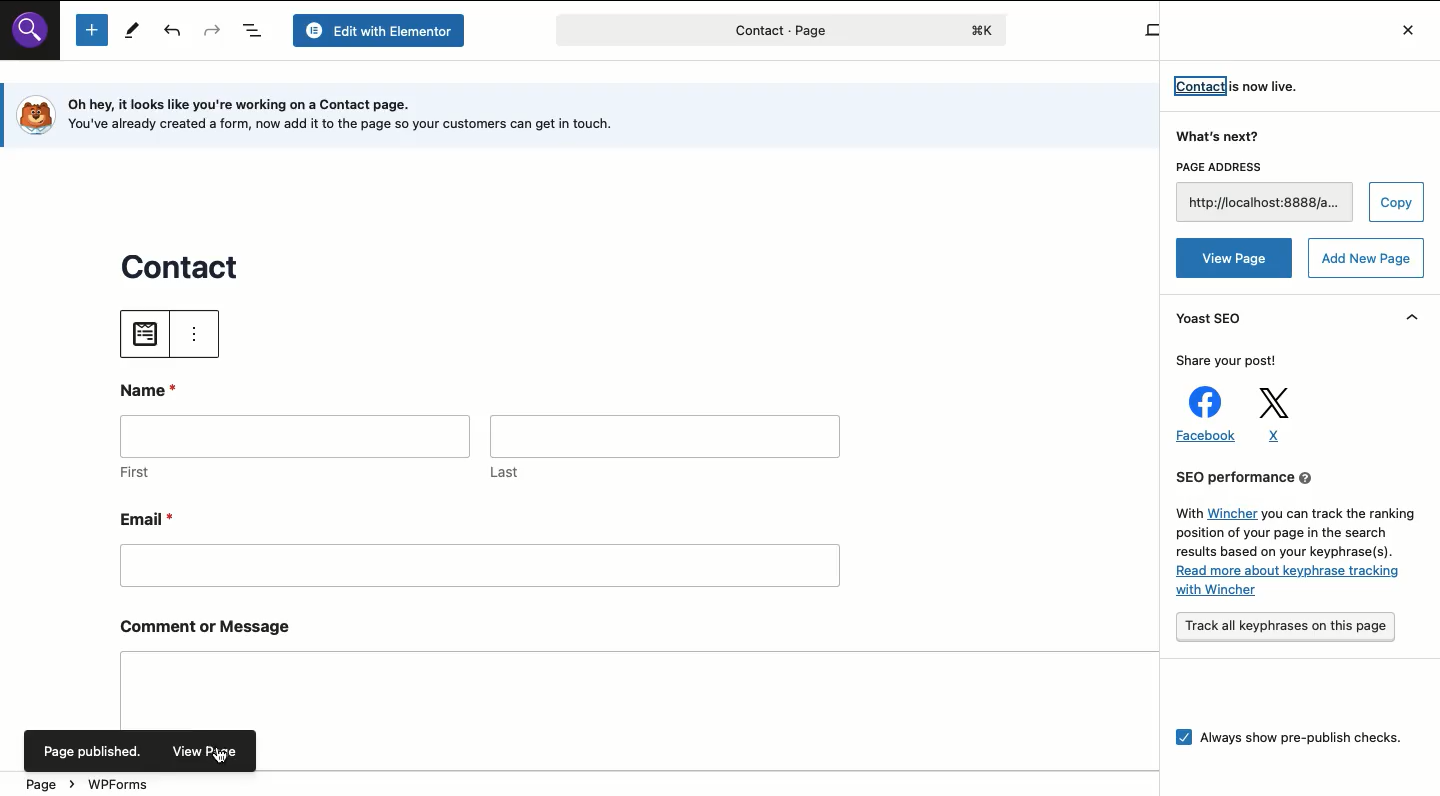  What do you see at coordinates (33, 115) in the screenshot?
I see `logo` at bounding box center [33, 115].